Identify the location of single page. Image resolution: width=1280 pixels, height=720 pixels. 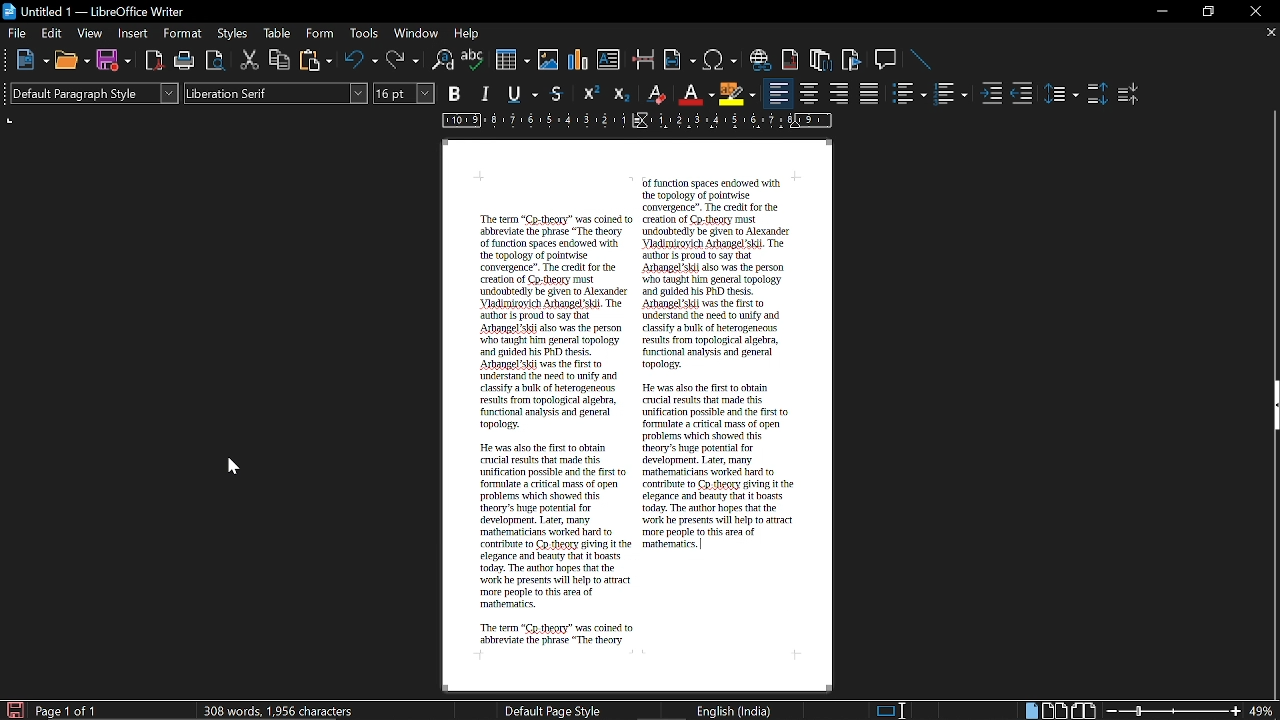
(1032, 709).